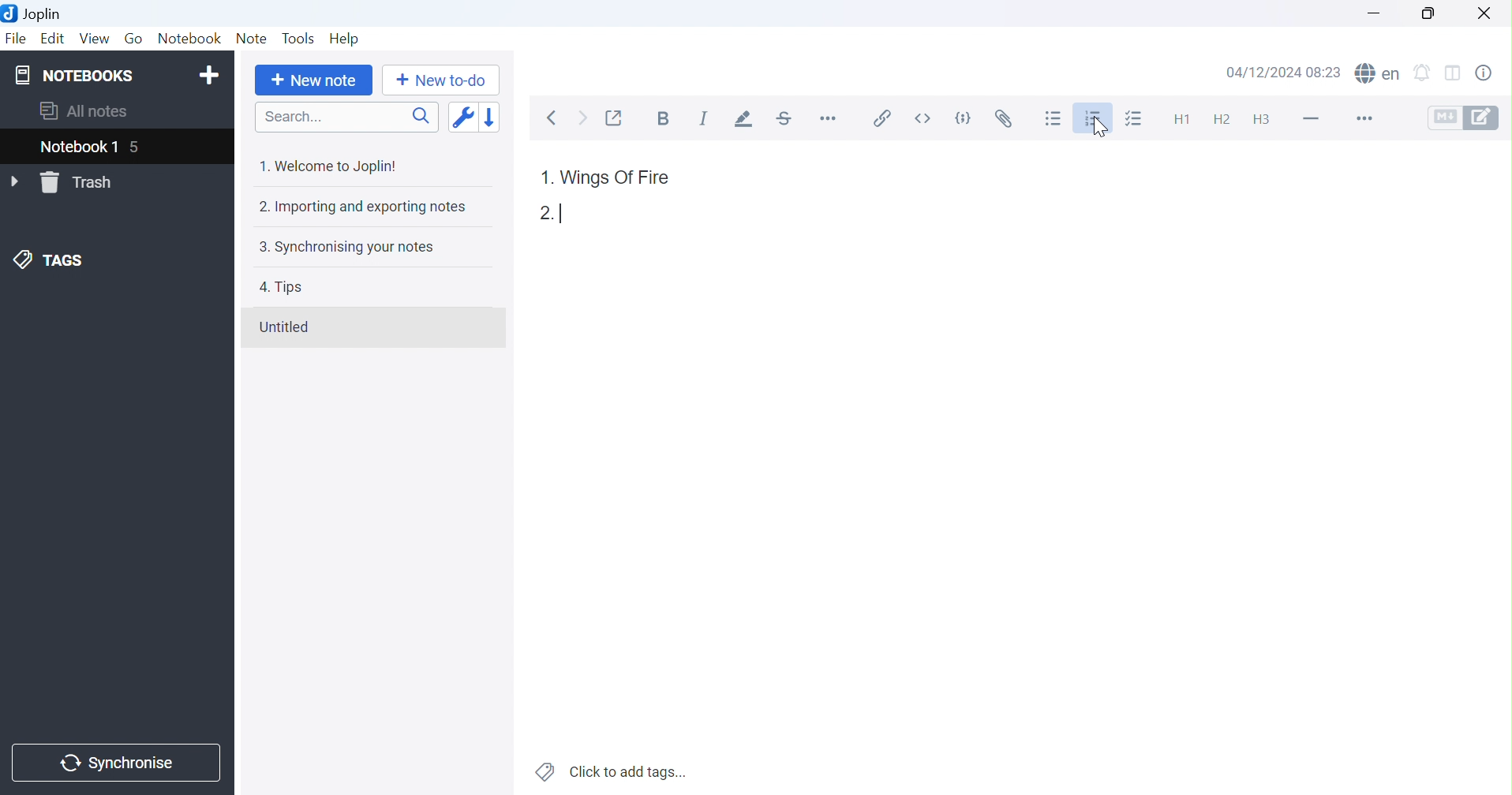 The width and height of the screenshot is (1512, 795). Describe the element at coordinates (1375, 13) in the screenshot. I see `Minimize` at that location.